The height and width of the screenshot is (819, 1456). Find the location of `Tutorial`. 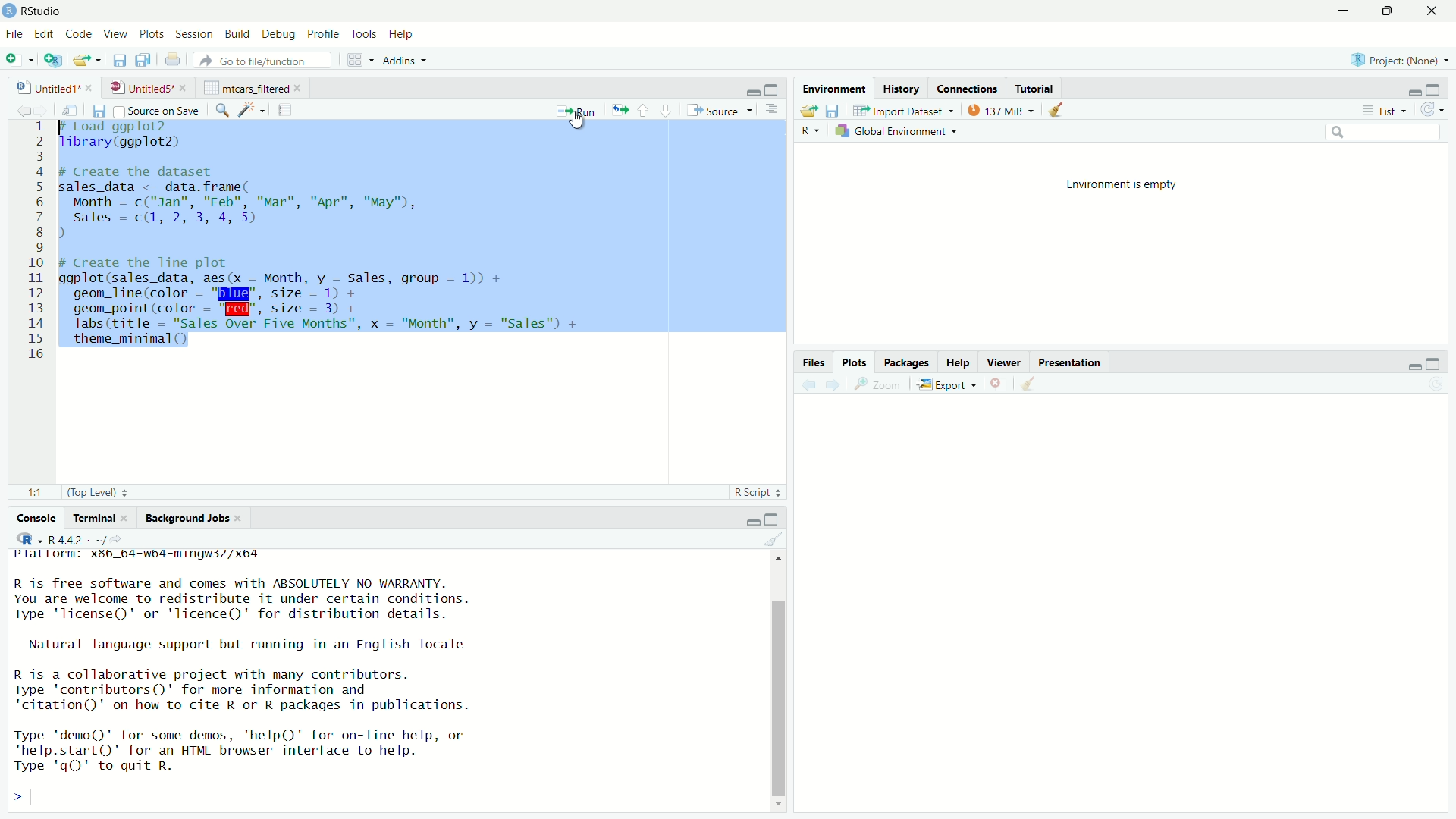

Tutorial is located at coordinates (1035, 89).